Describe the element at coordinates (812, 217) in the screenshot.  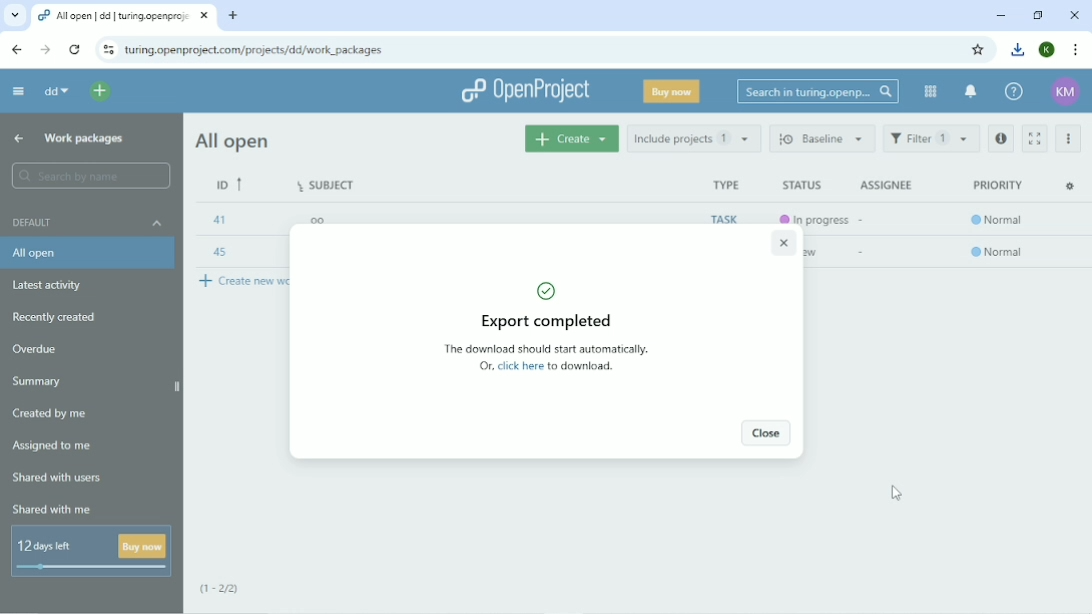
I see `In progress` at that location.